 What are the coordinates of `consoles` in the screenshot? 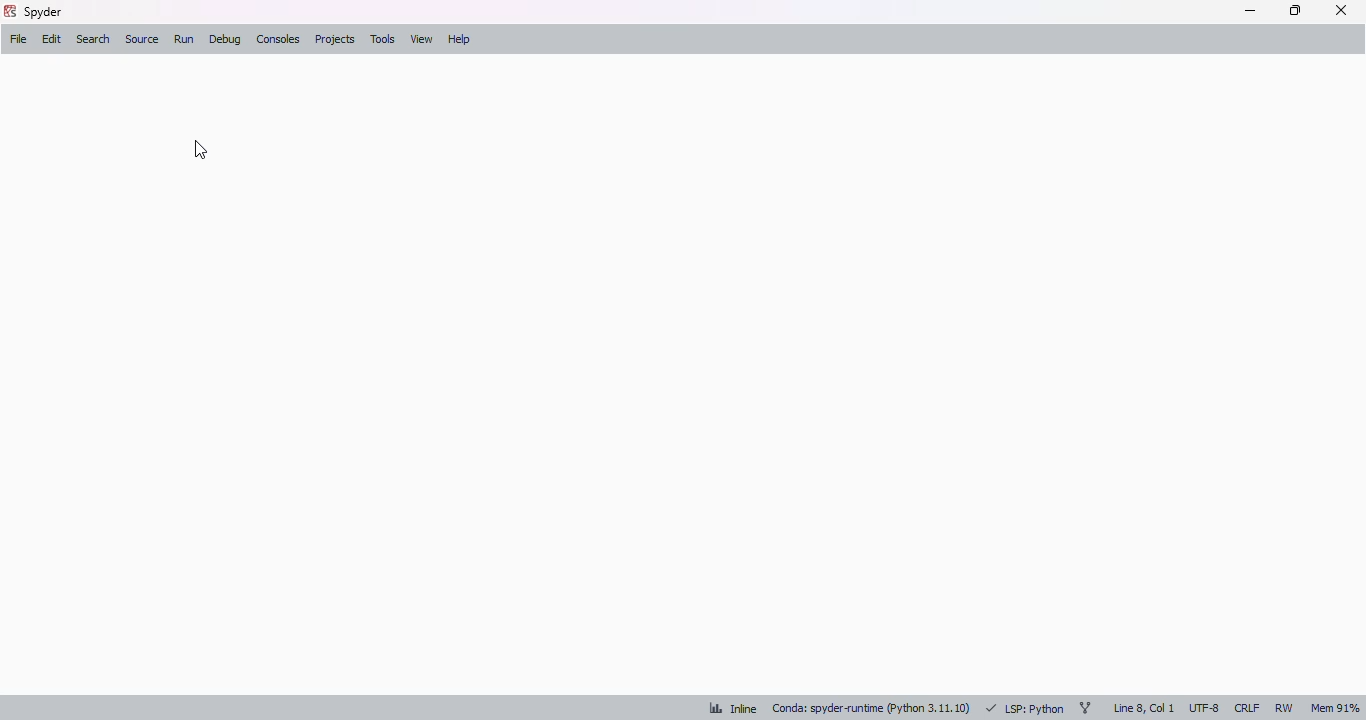 It's located at (278, 38).